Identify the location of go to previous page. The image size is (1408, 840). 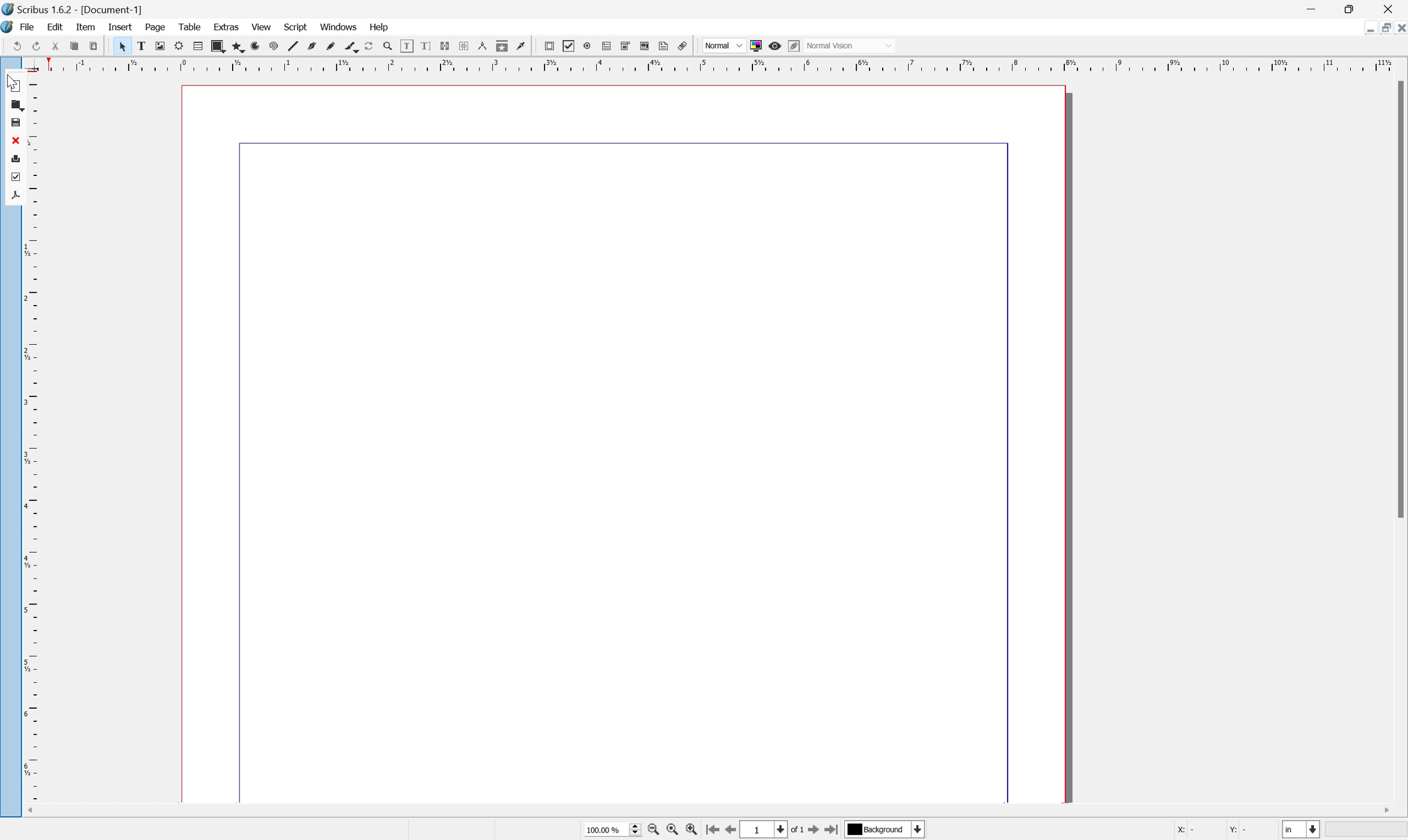
(728, 831).